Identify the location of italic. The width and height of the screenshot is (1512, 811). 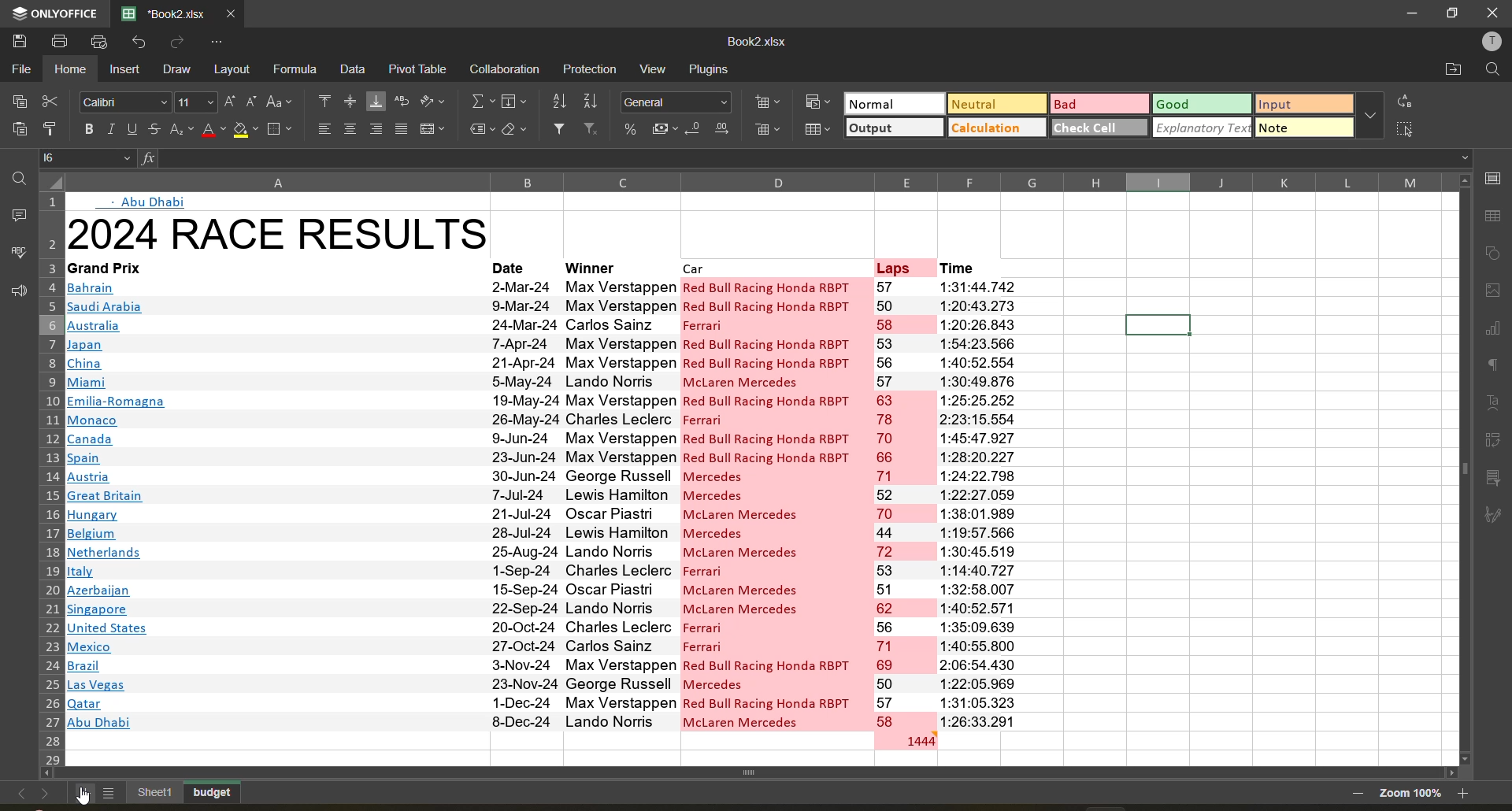
(114, 128).